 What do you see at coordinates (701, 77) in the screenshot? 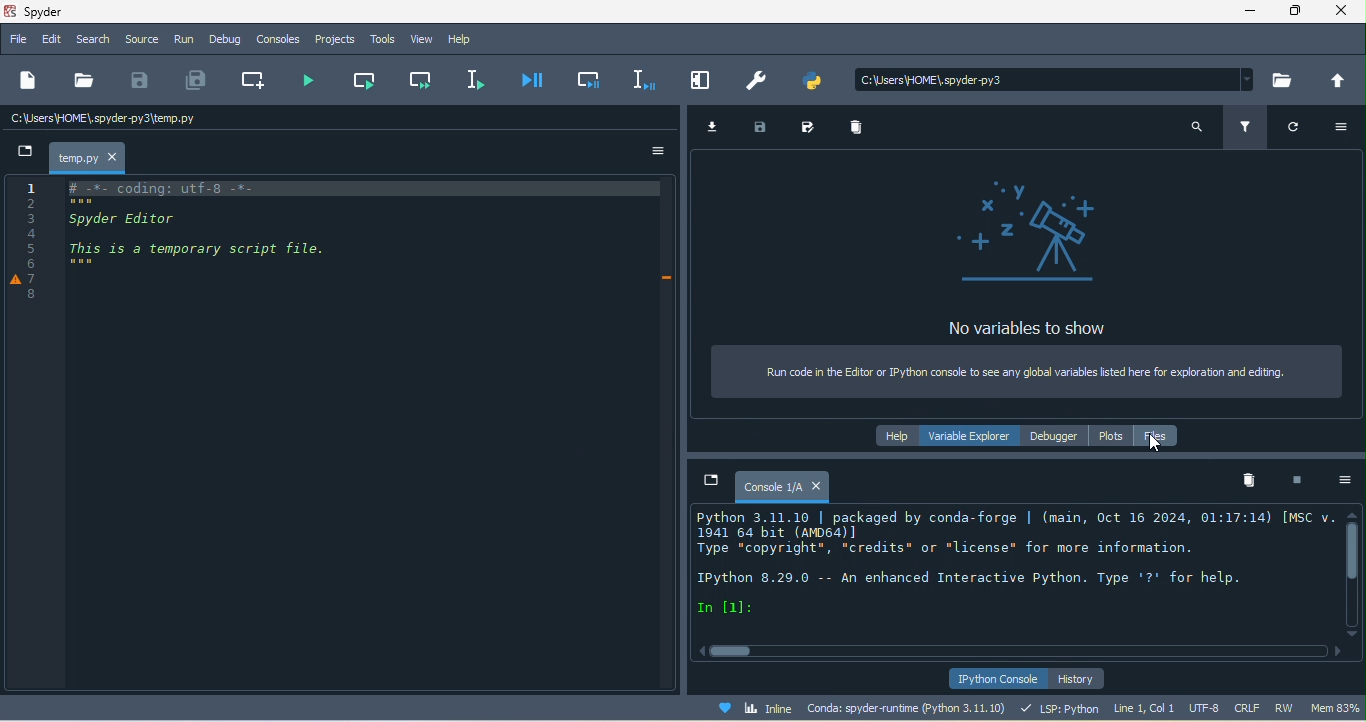
I see `maximize current pane` at bounding box center [701, 77].